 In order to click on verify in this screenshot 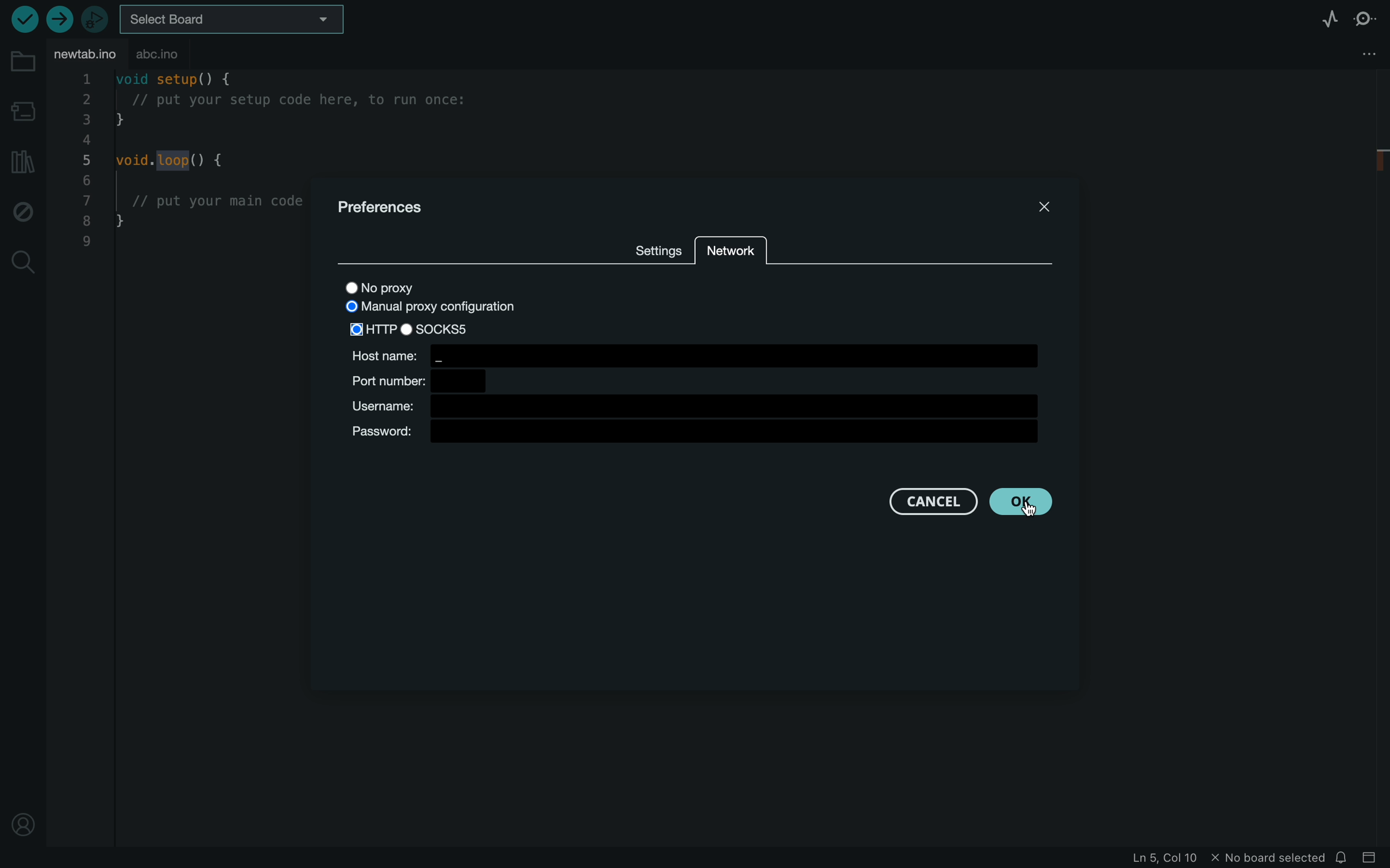, I will do `click(27, 19)`.